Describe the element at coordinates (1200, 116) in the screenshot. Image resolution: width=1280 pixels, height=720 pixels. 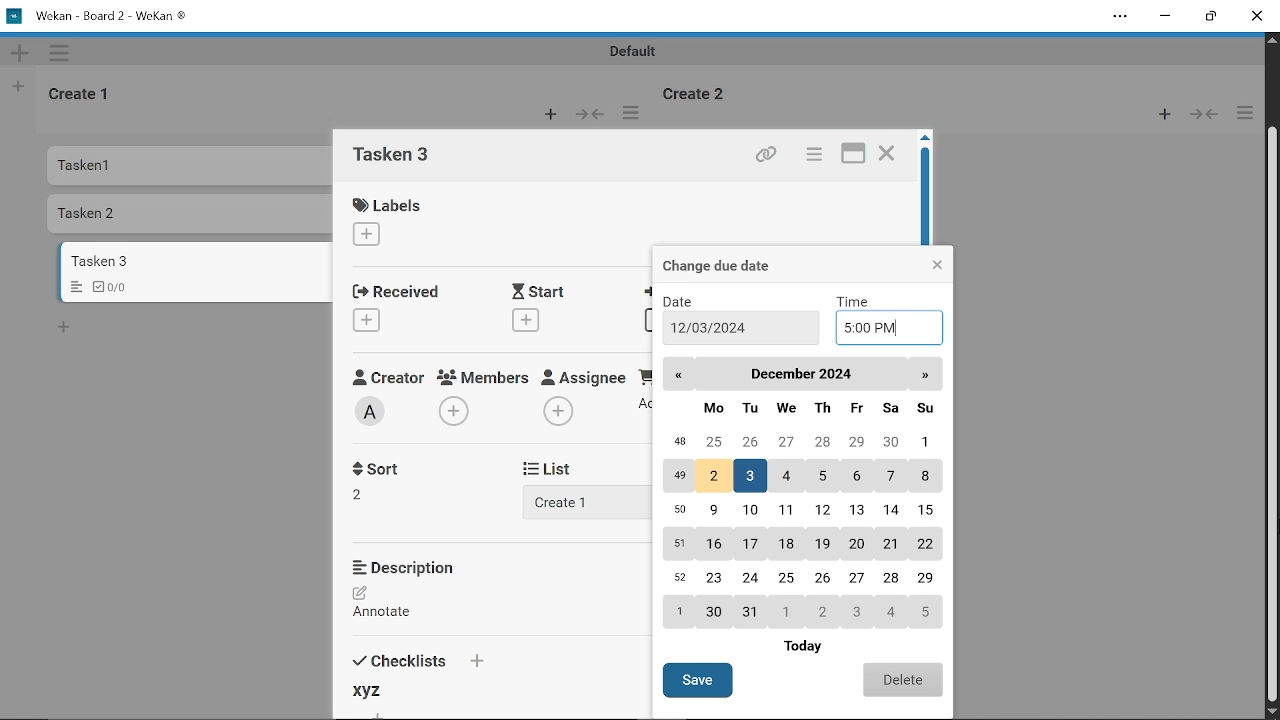
I see `Forward/Back` at that location.